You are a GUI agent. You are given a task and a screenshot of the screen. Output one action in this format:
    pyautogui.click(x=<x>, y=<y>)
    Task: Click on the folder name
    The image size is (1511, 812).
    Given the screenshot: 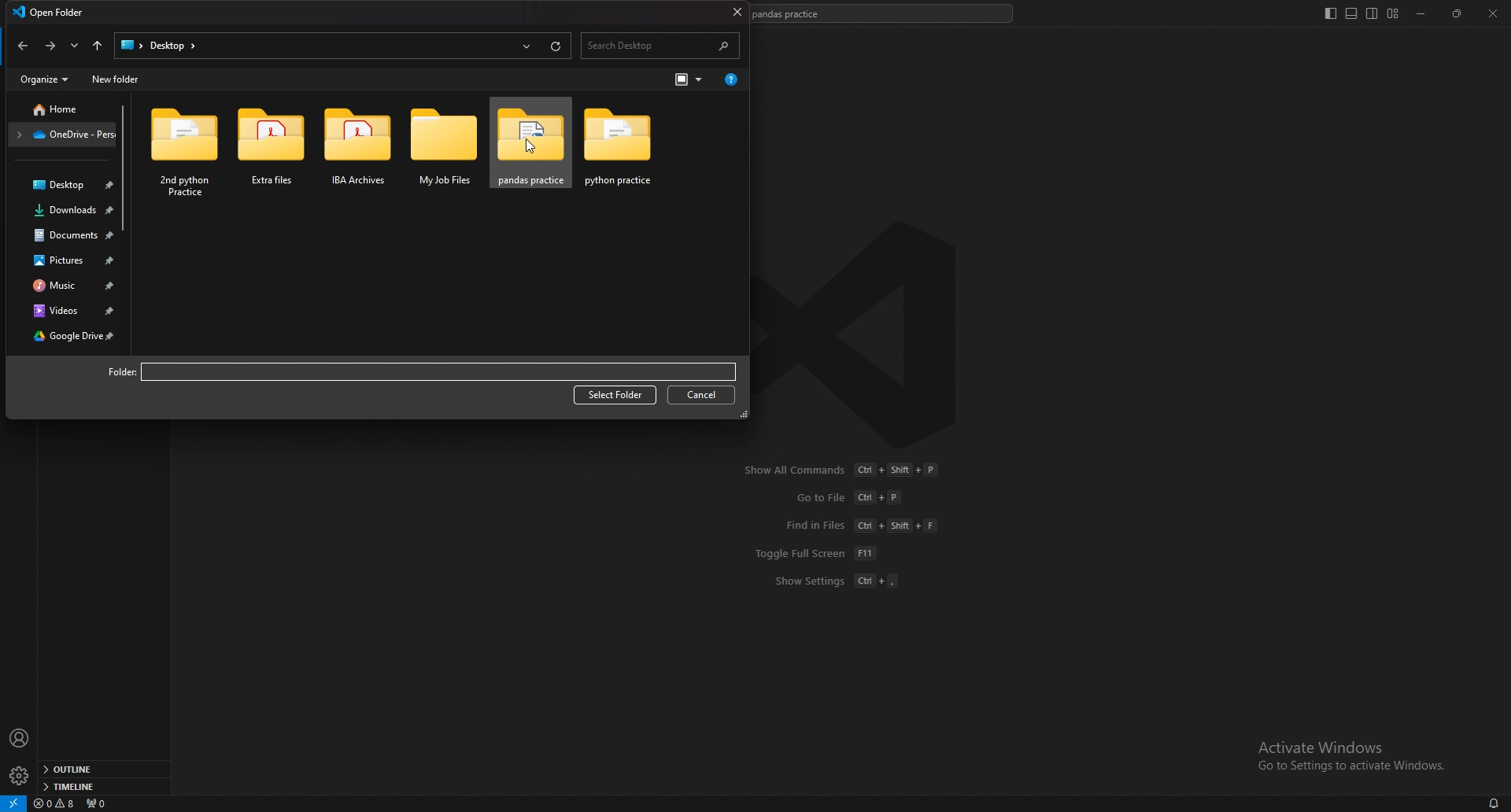 What is the action you would take?
    pyautogui.click(x=438, y=374)
    